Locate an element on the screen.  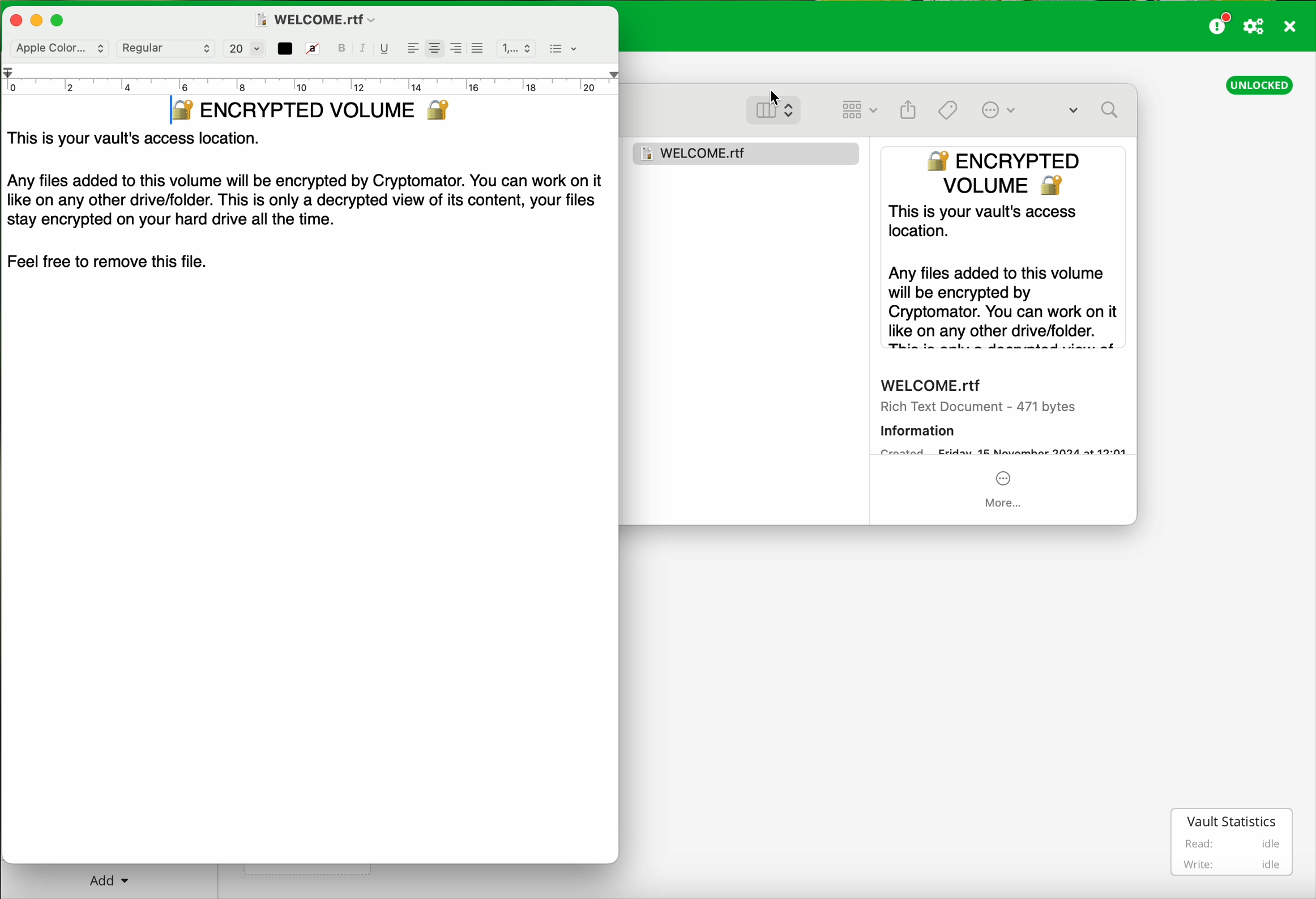
italic is located at coordinates (365, 49).